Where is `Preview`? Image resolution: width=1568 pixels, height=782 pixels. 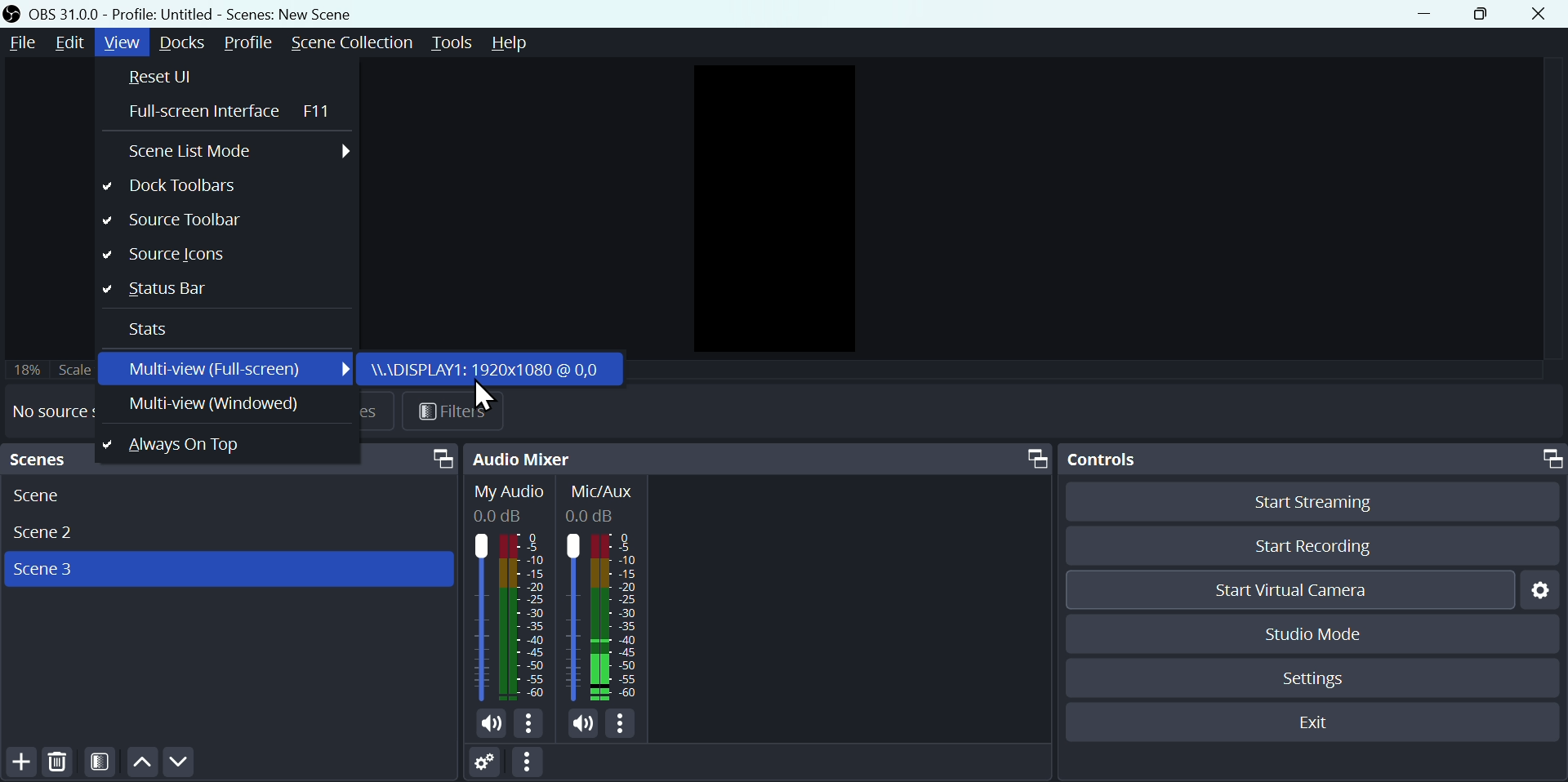
Preview is located at coordinates (772, 210).